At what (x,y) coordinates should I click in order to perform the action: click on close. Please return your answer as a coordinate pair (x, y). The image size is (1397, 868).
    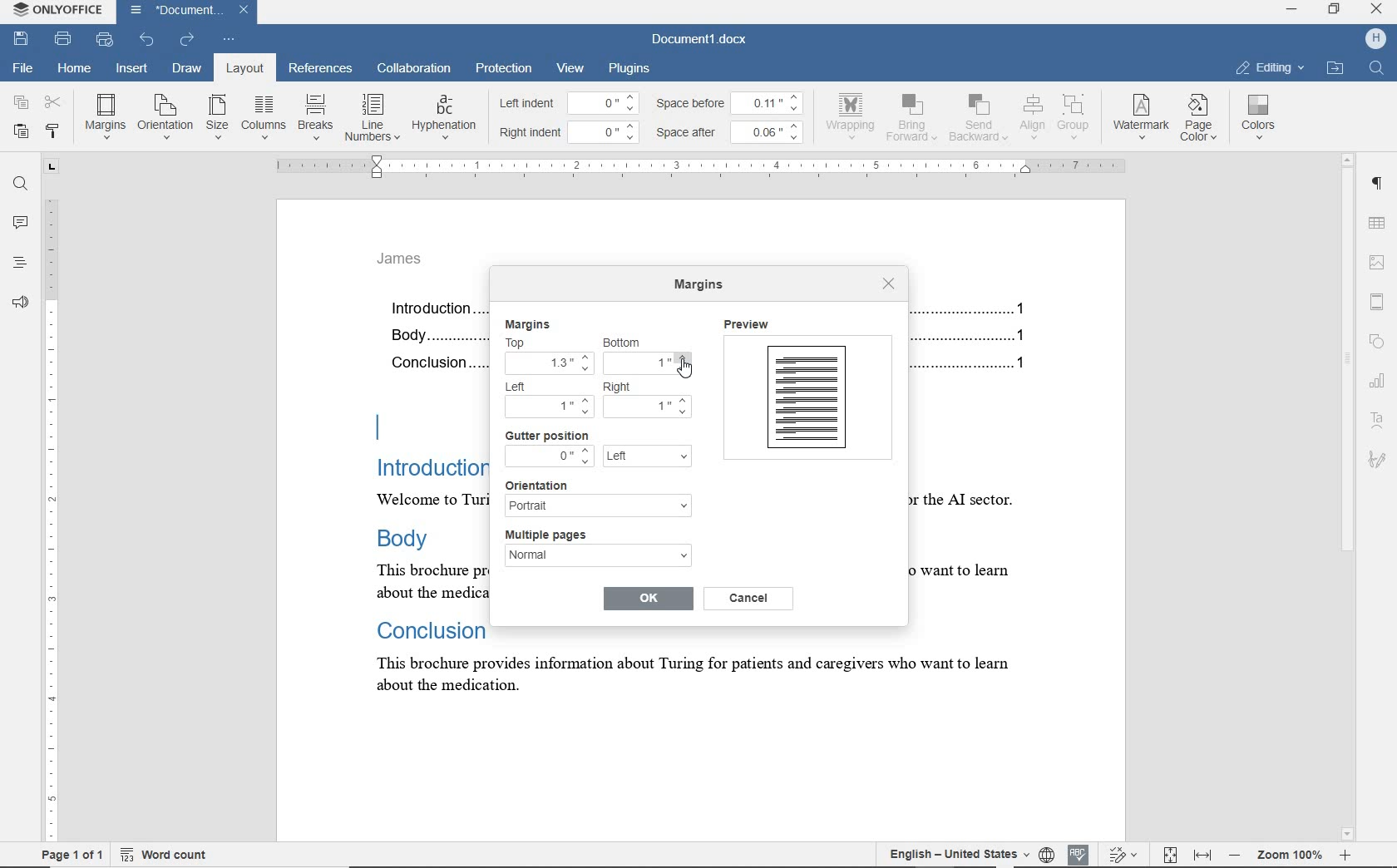
    Looking at the image, I should click on (249, 8).